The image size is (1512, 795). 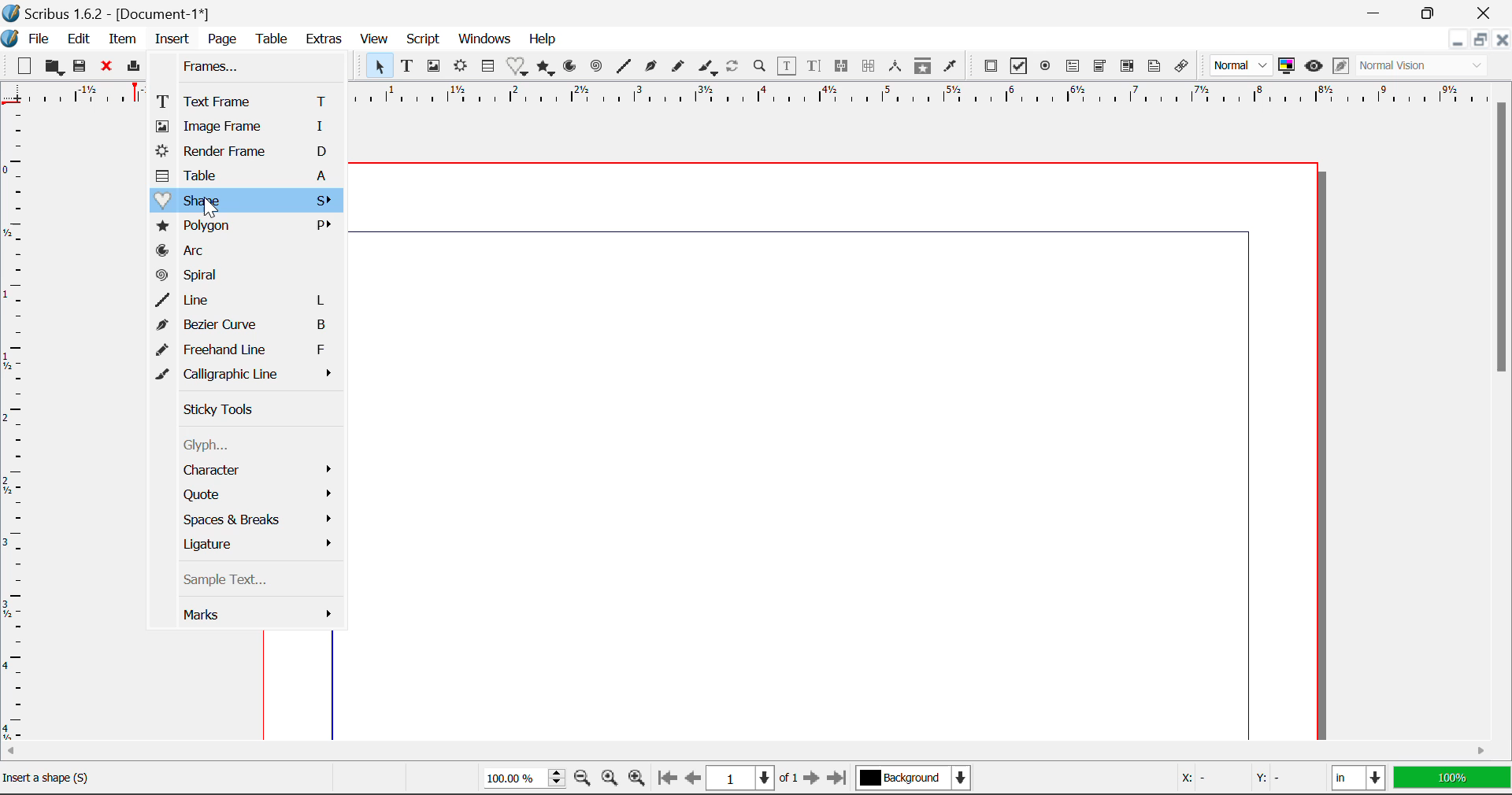 What do you see at coordinates (408, 67) in the screenshot?
I see `Text Frames` at bounding box center [408, 67].